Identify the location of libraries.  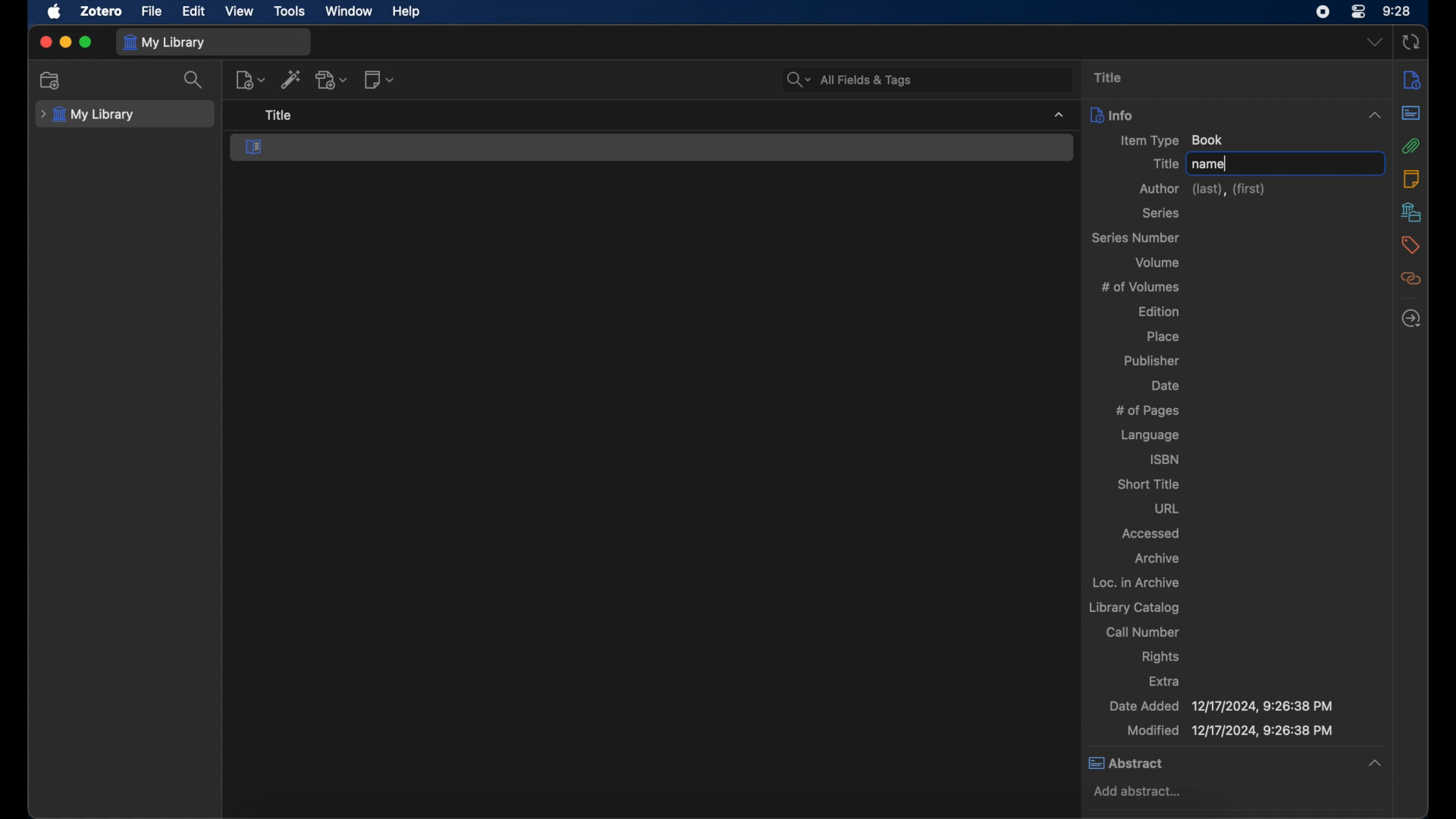
(1410, 212).